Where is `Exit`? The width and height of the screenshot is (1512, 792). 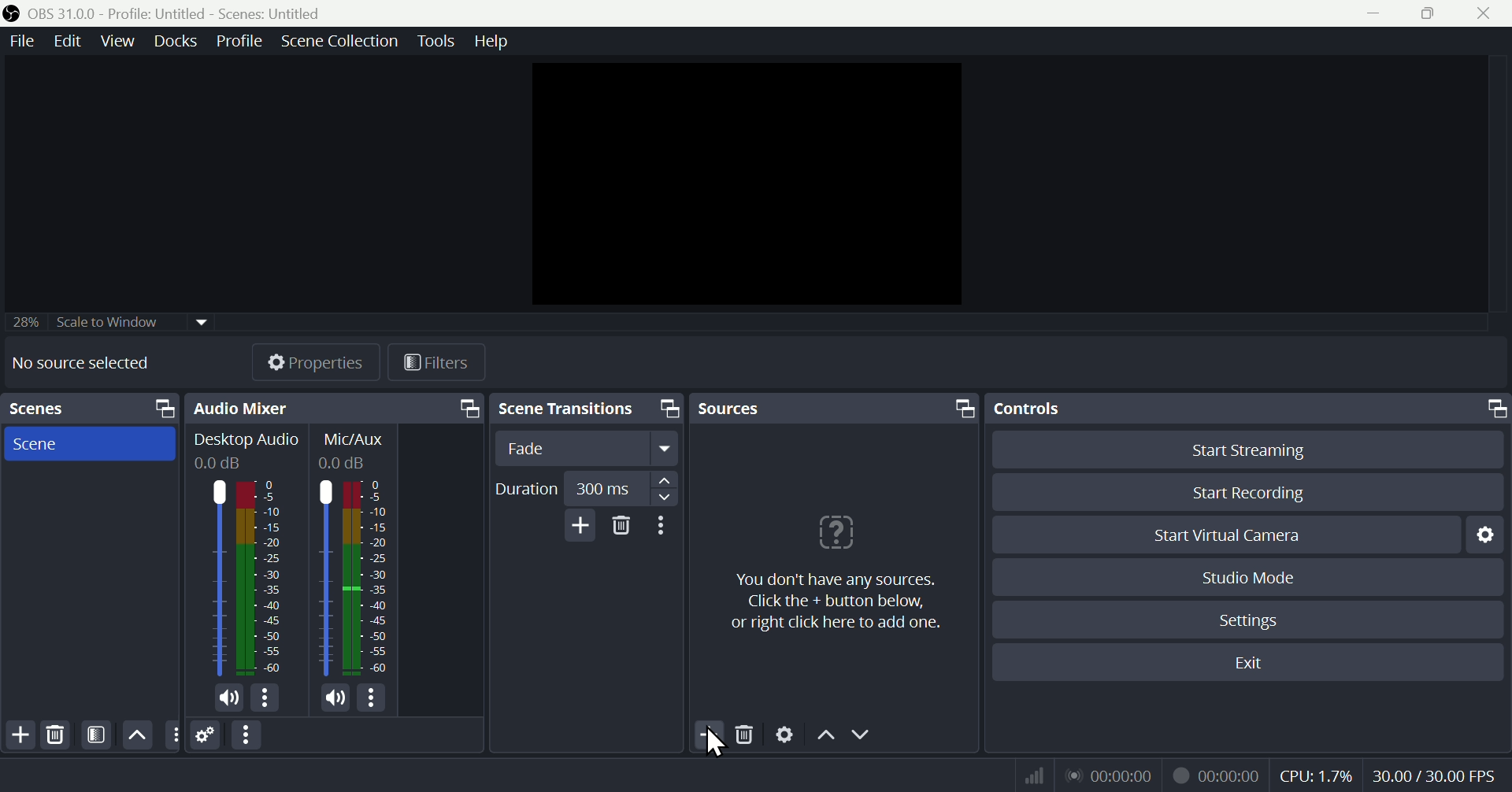
Exit is located at coordinates (1258, 663).